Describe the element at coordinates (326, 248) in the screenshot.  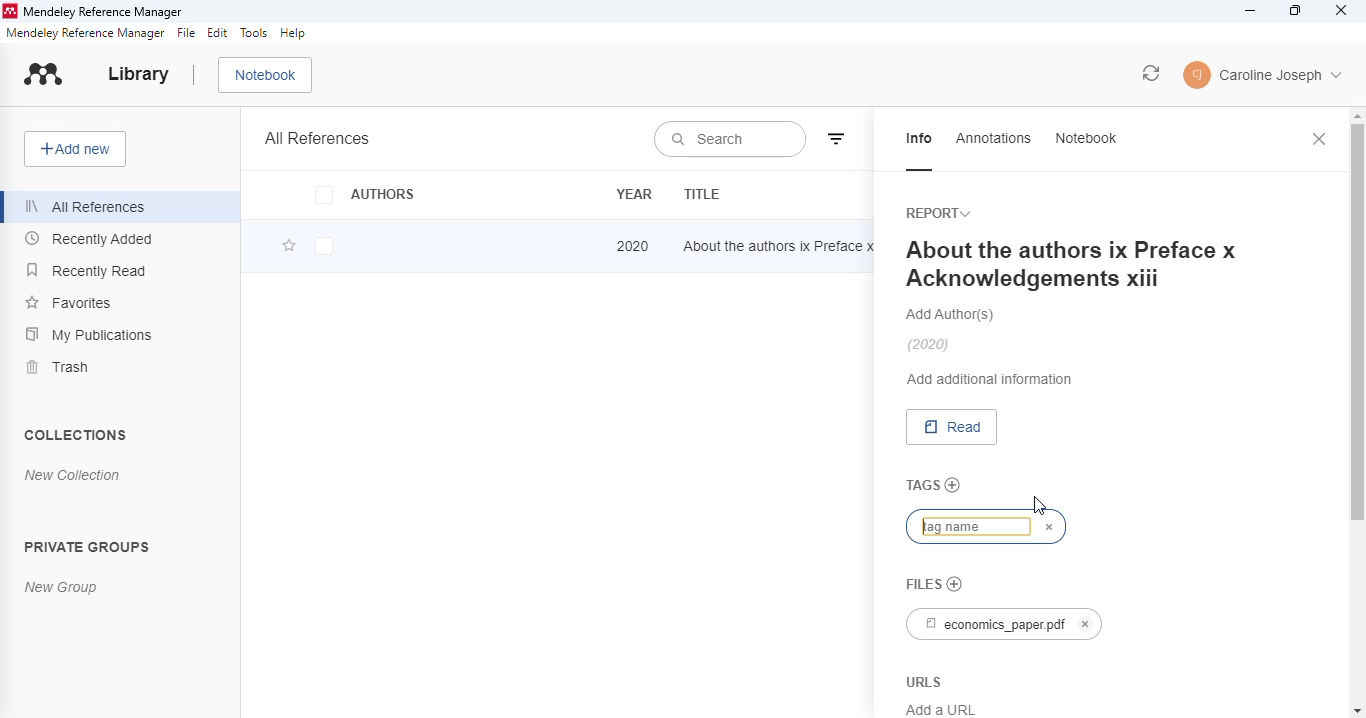
I see `checkbox` at that location.